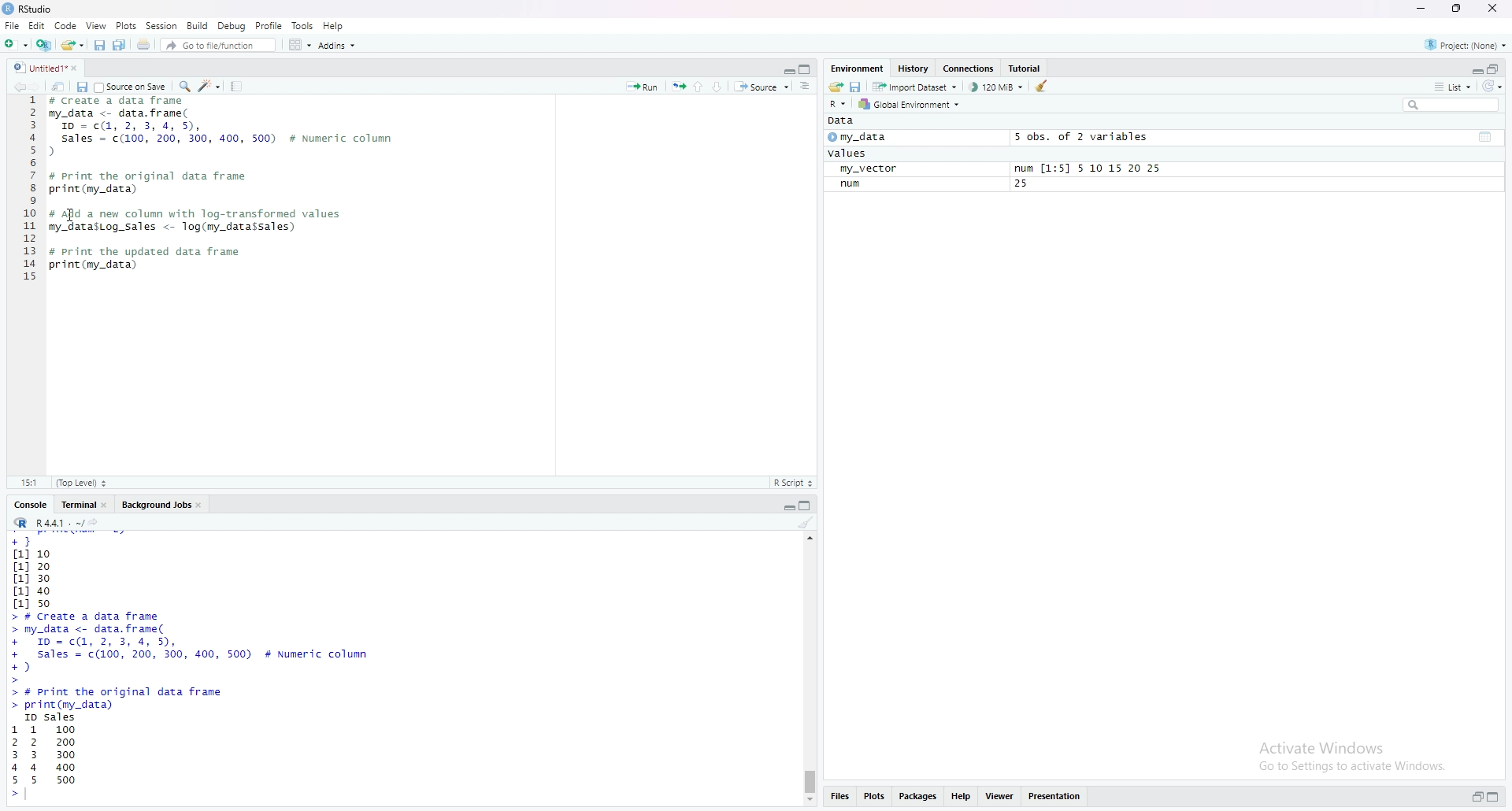 This screenshot has height=811, width=1512. I want to click on Background jobs, so click(157, 506).